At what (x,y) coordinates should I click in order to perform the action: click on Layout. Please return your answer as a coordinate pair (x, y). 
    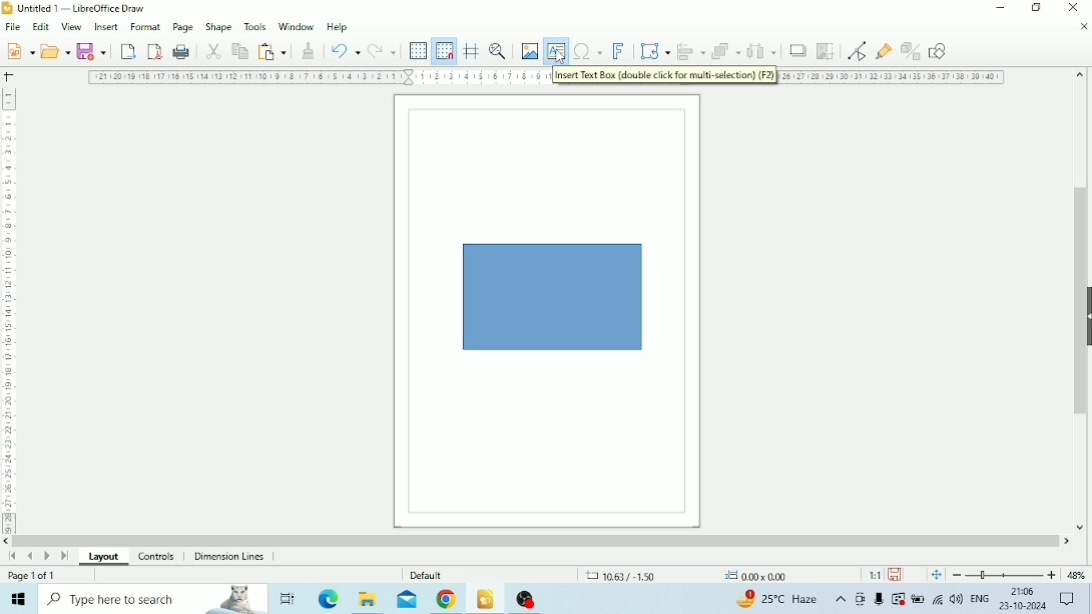
    Looking at the image, I should click on (104, 558).